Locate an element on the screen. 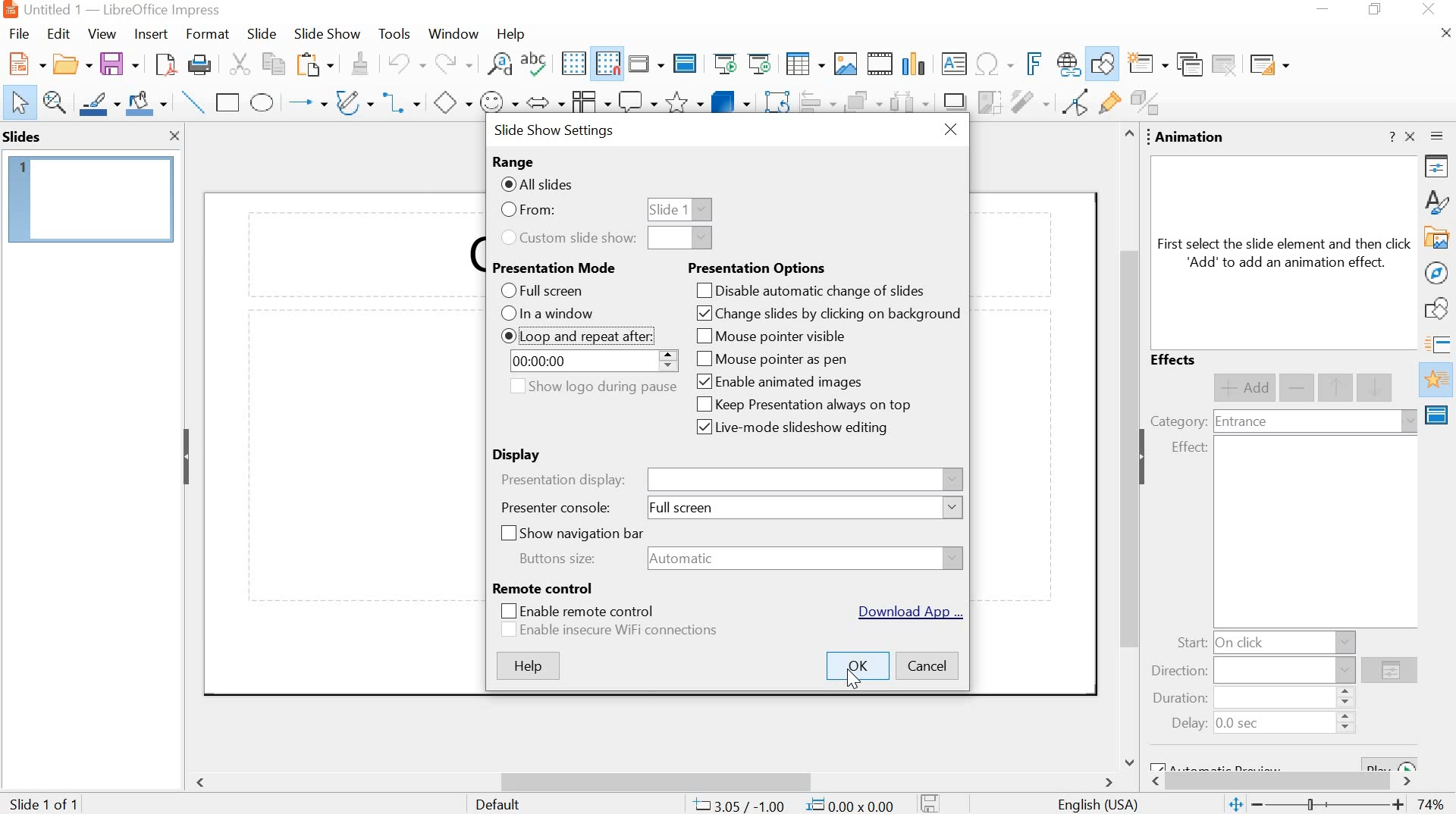 This screenshot has width=1456, height=814. ellipse is located at coordinates (262, 103).